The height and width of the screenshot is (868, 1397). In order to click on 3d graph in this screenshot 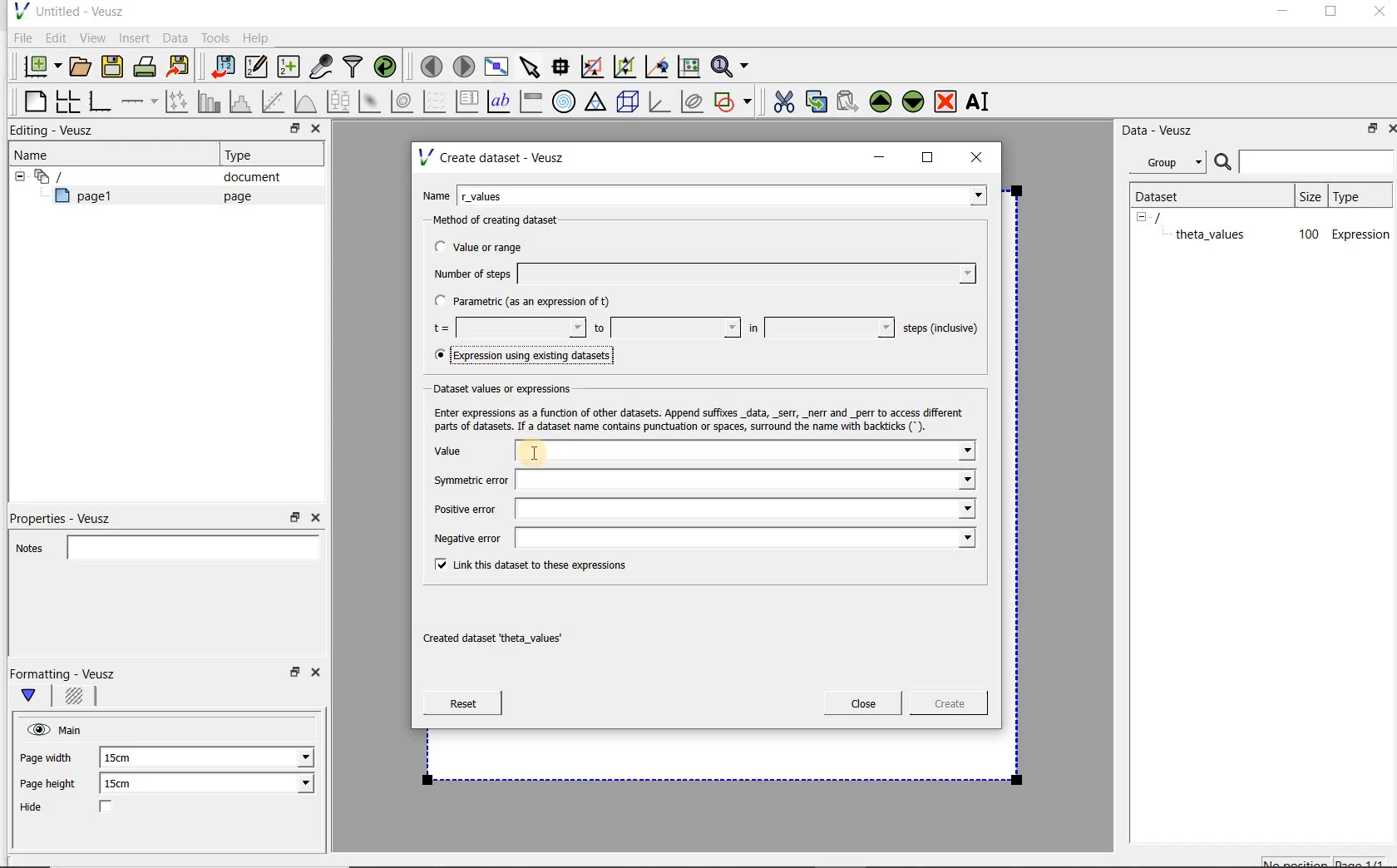, I will do `click(660, 103)`.